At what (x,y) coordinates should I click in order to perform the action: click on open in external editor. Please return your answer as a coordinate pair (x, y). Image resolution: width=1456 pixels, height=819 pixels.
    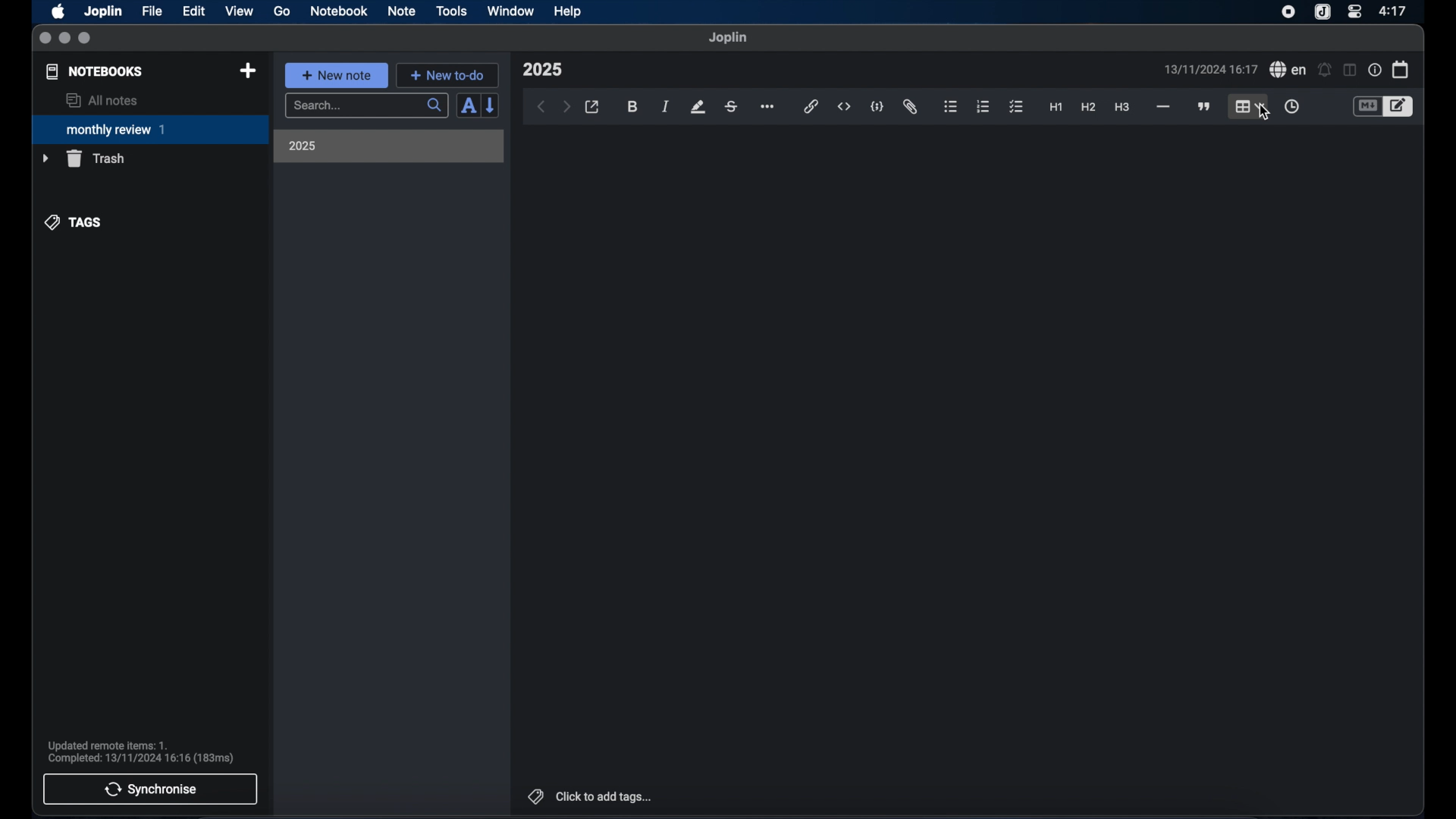
    Looking at the image, I should click on (593, 108).